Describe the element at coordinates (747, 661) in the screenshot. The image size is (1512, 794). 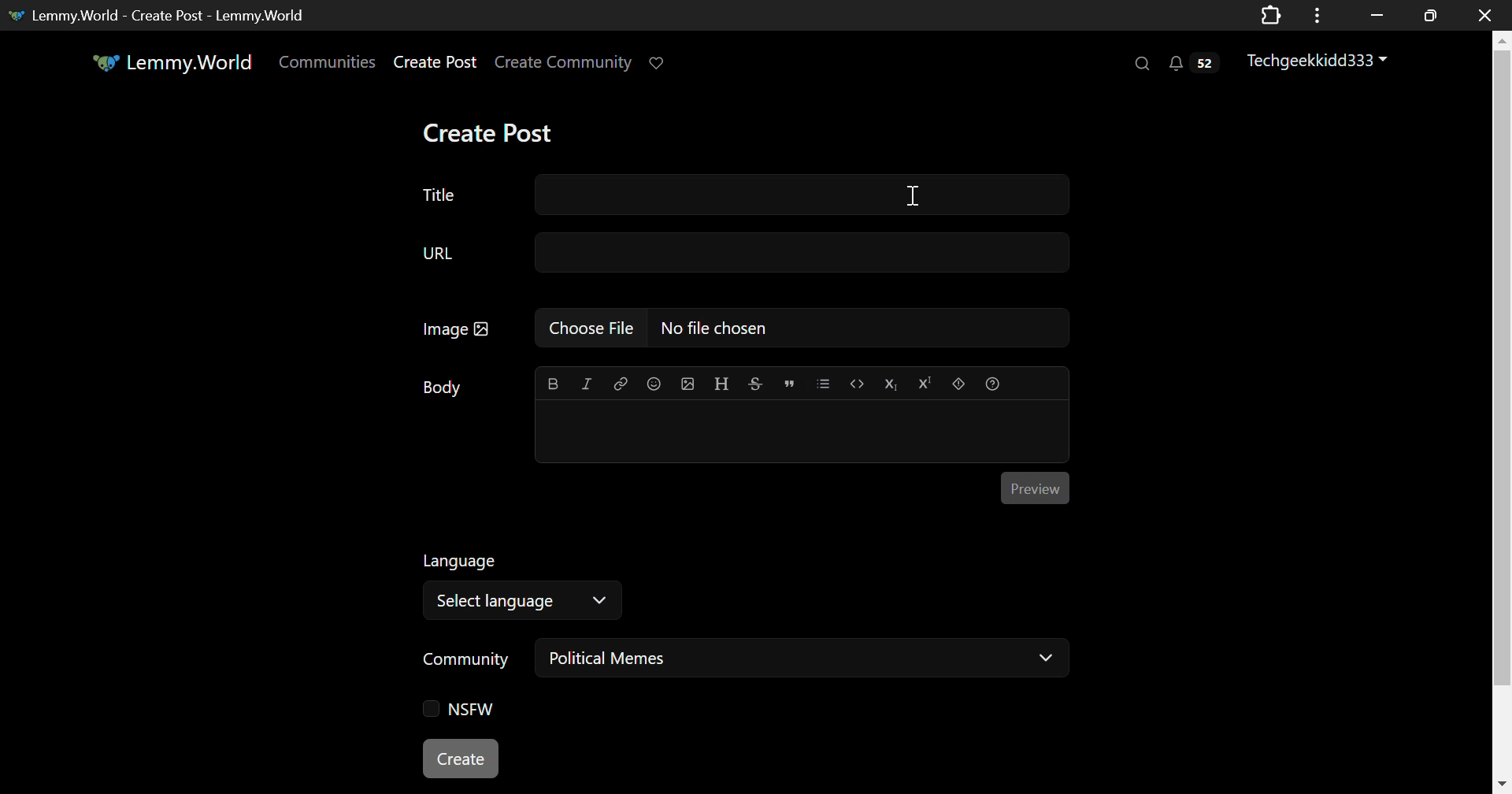
I see `Community: Political Memes` at that location.